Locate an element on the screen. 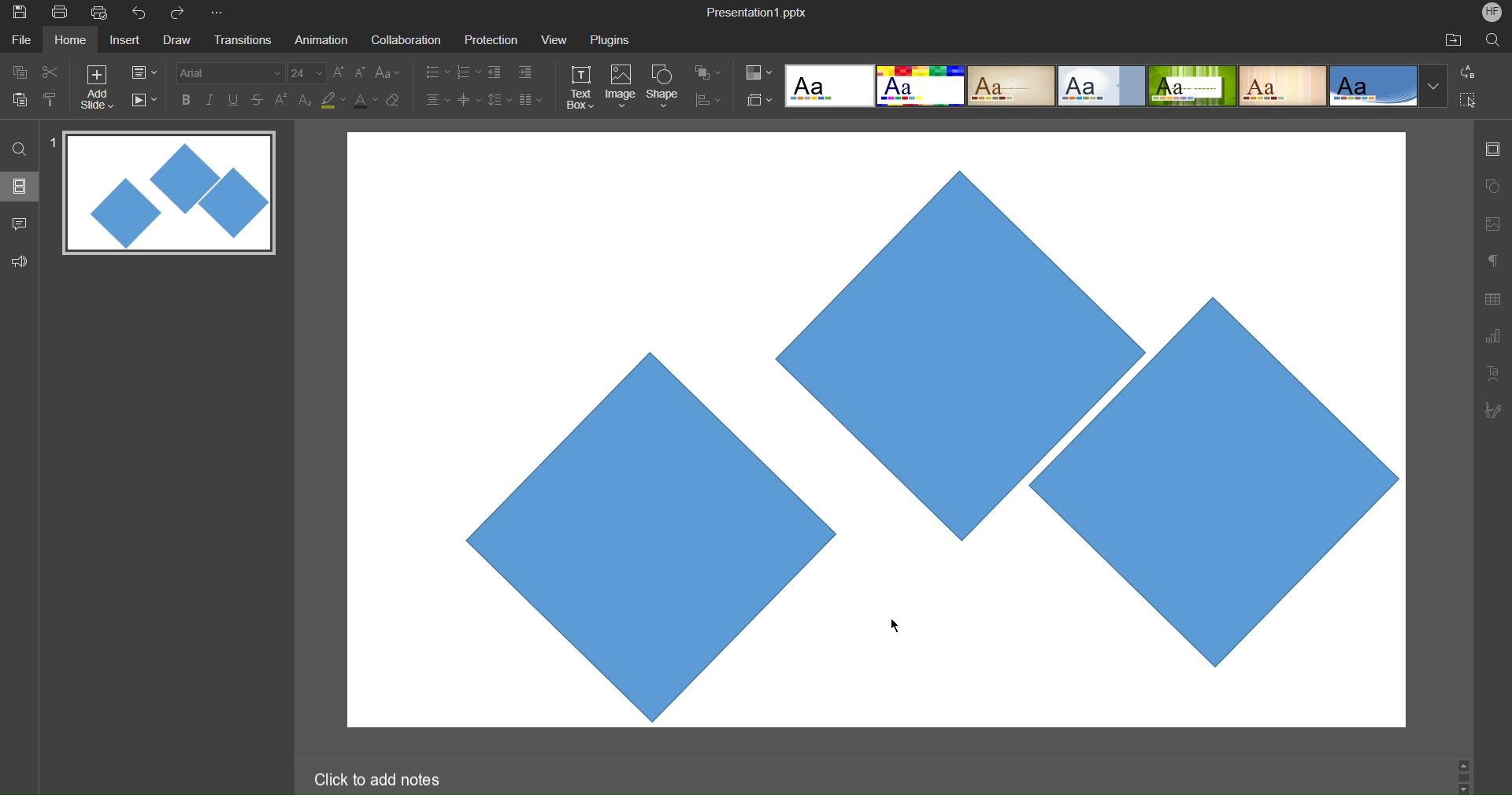  Subscript is located at coordinates (306, 99).